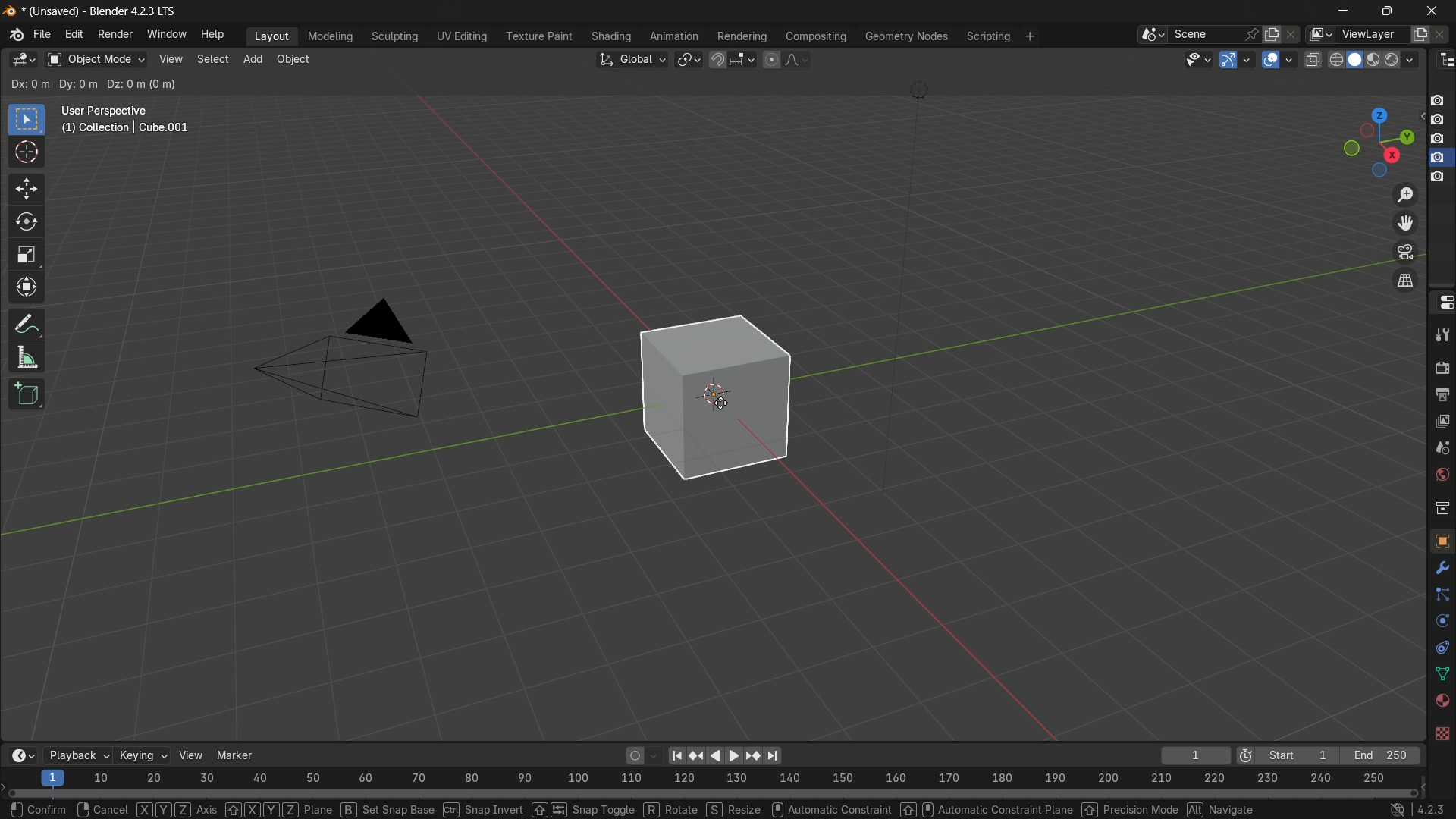 The image size is (1456, 819). What do you see at coordinates (1318, 34) in the screenshot?
I see `active workspace` at bounding box center [1318, 34].